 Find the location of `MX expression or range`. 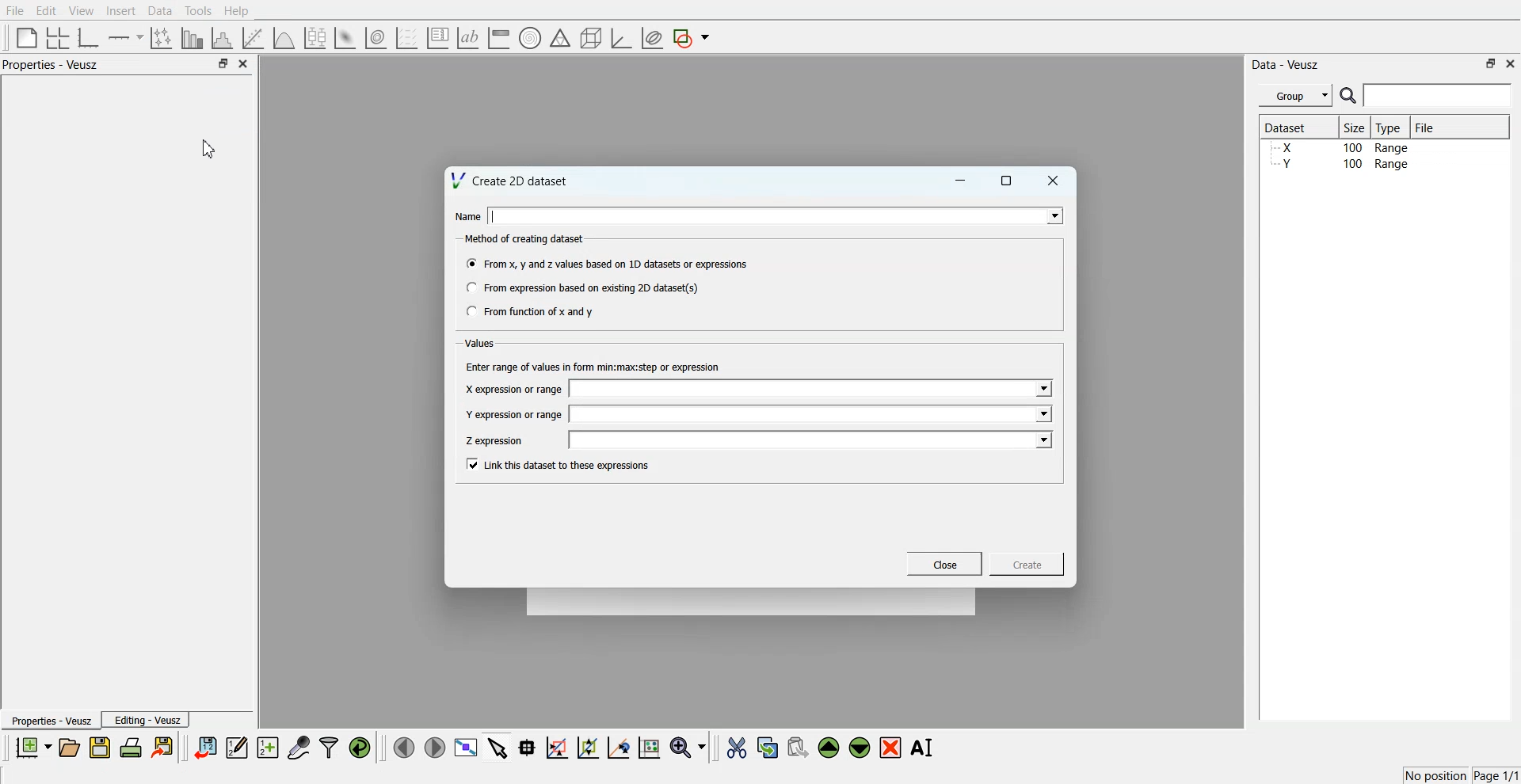

MX expression or range is located at coordinates (513, 389).